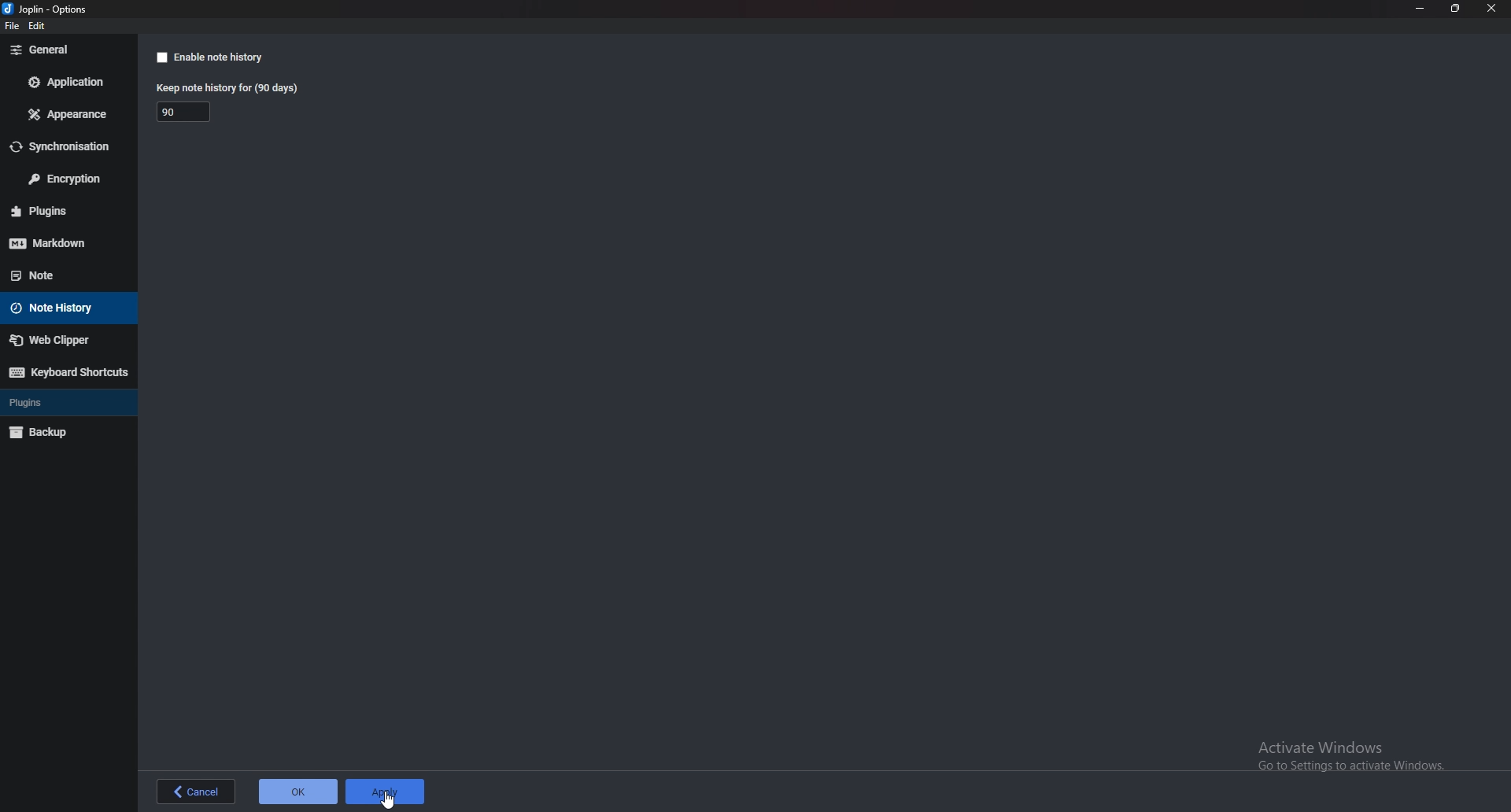 The width and height of the screenshot is (1511, 812). Describe the element at coordinates (389, 799) in the screenshot. I see `cursor` at that location.